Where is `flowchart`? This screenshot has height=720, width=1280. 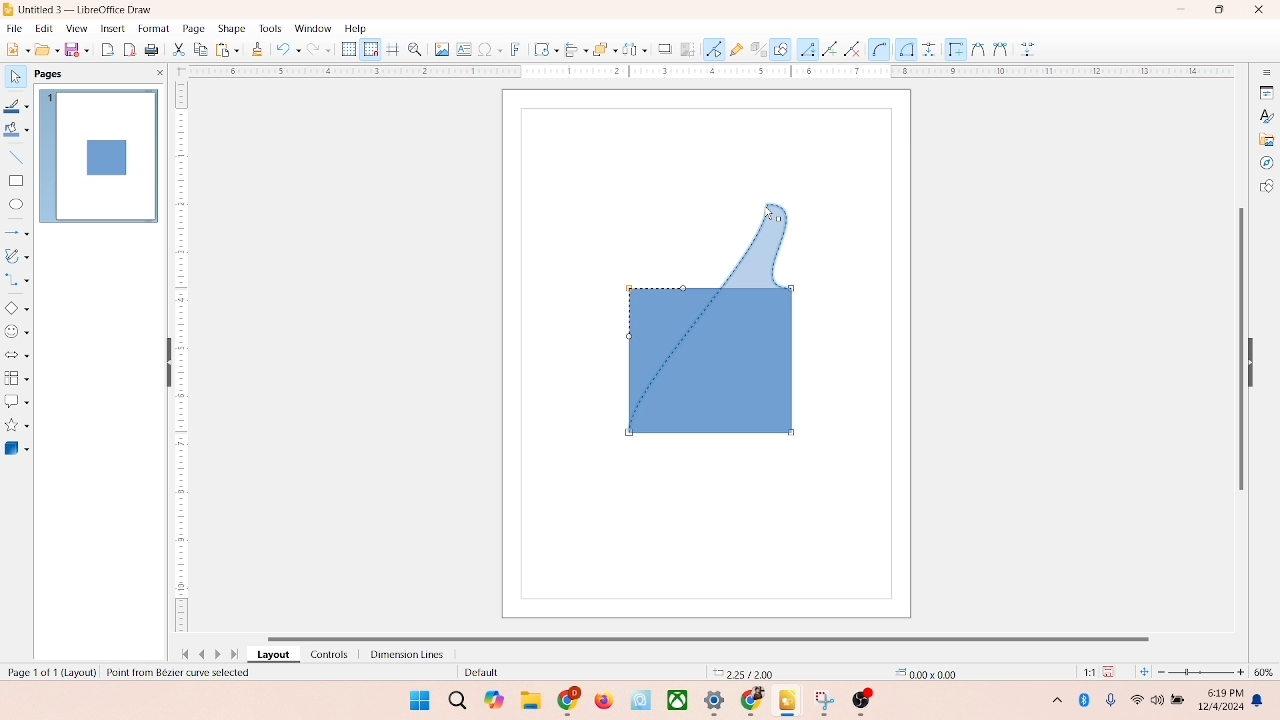
flowchart is located at coordinates (16, 378).